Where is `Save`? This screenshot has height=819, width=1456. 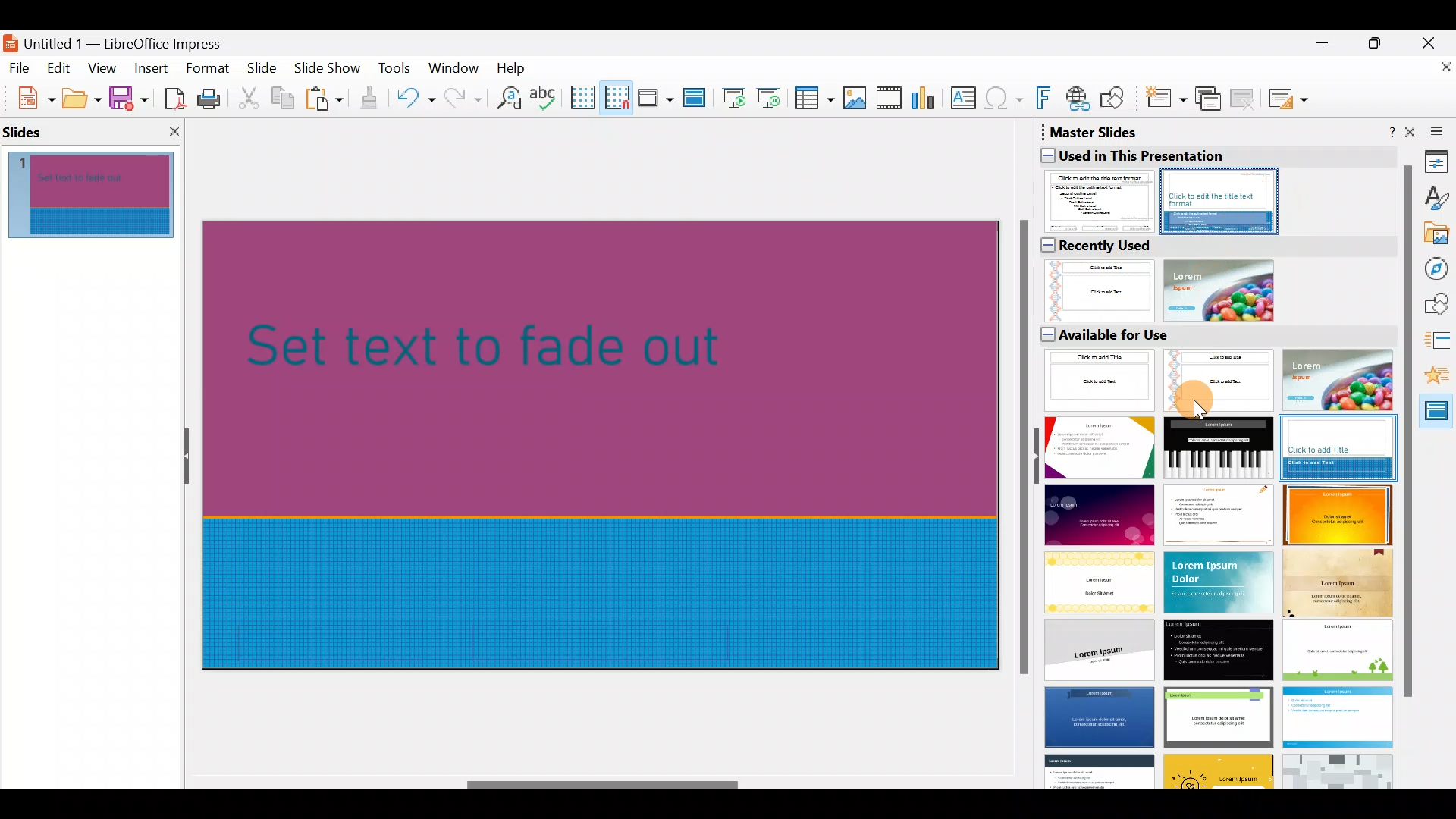
Save is located at coordinates (128, 97).